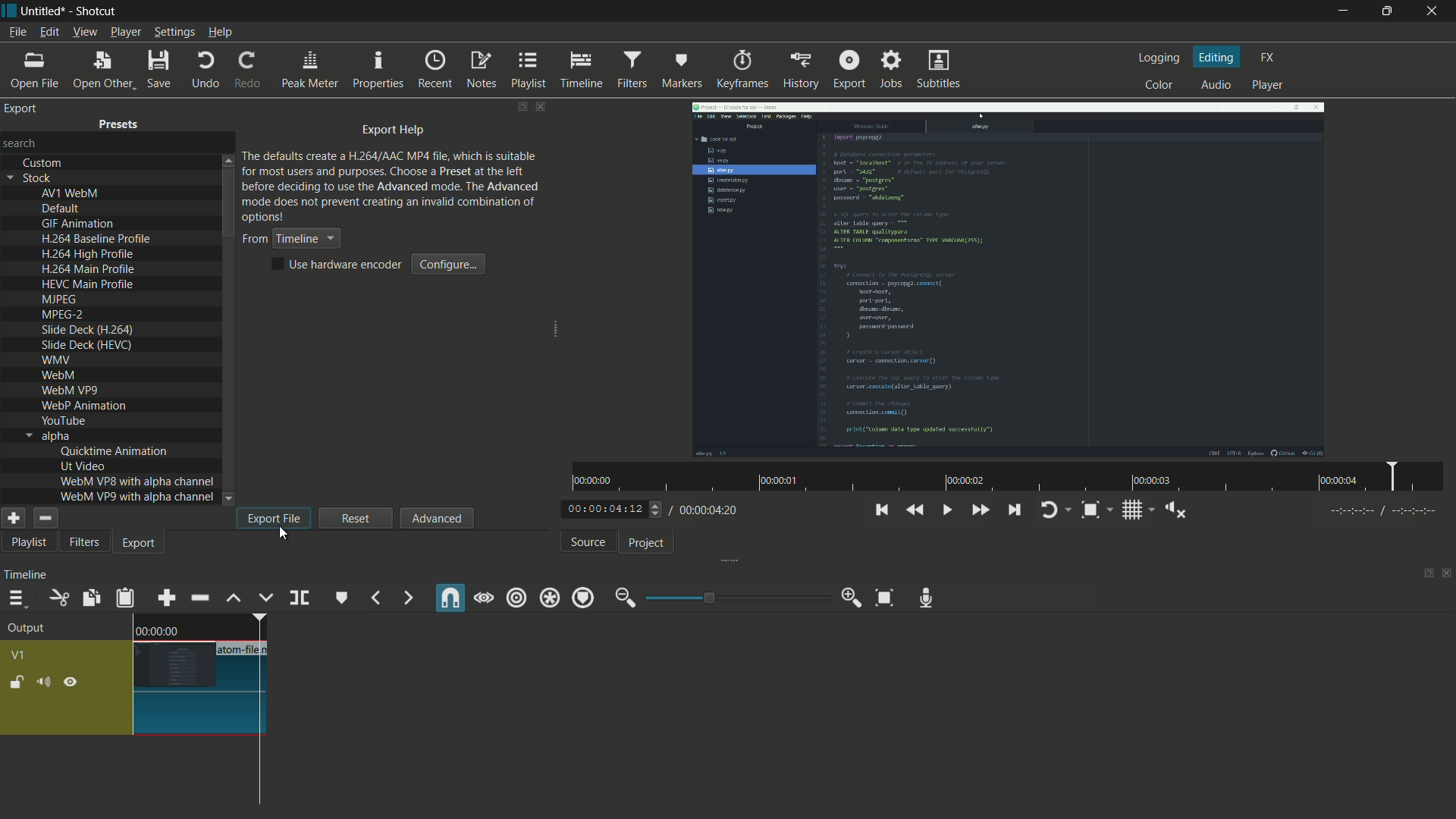  Describe the element at coordinates (33, 178) in the screenshot. I see `stock dropdown` at that location.